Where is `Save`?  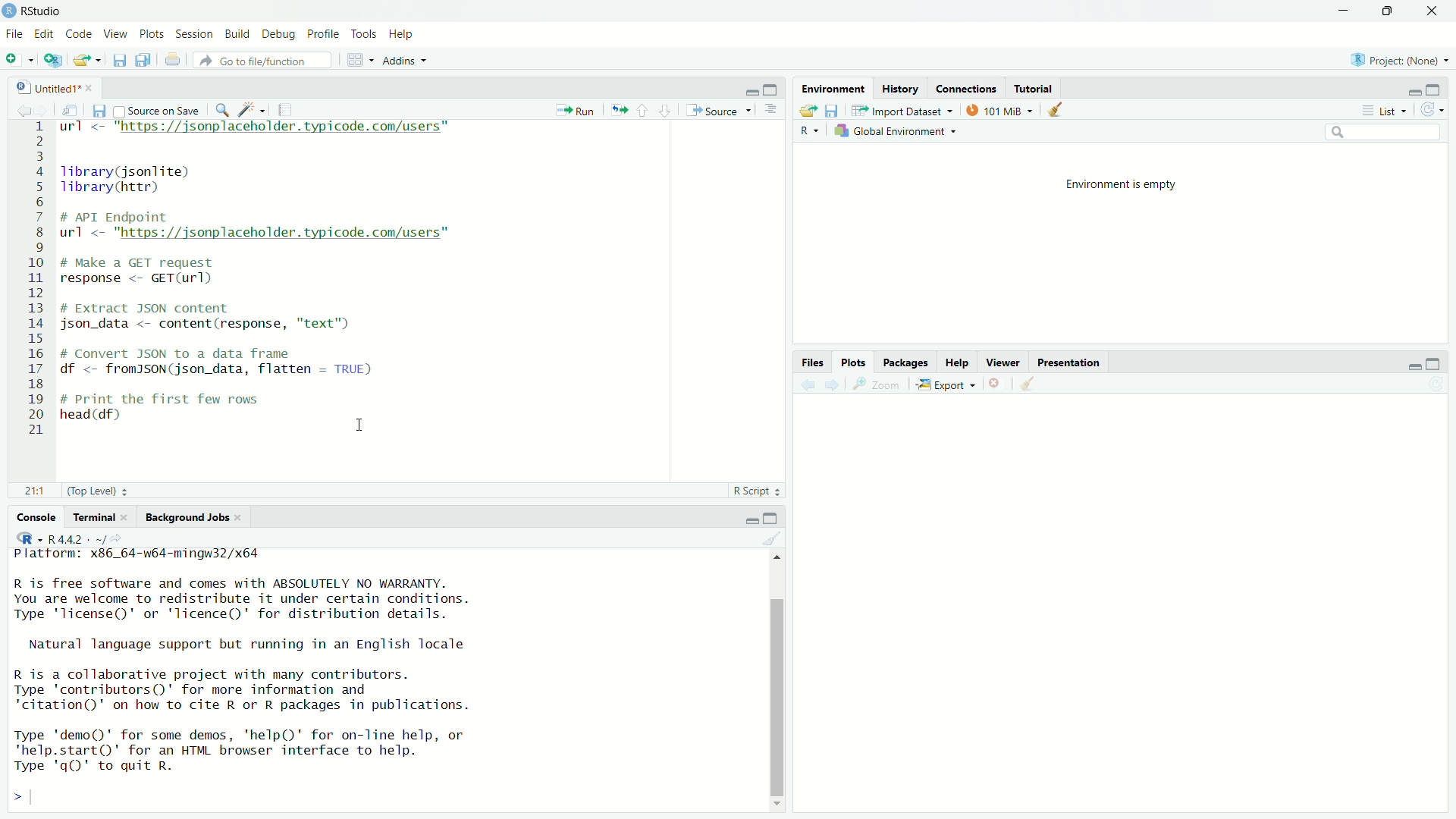
Save is located at coordinates (831, 111).